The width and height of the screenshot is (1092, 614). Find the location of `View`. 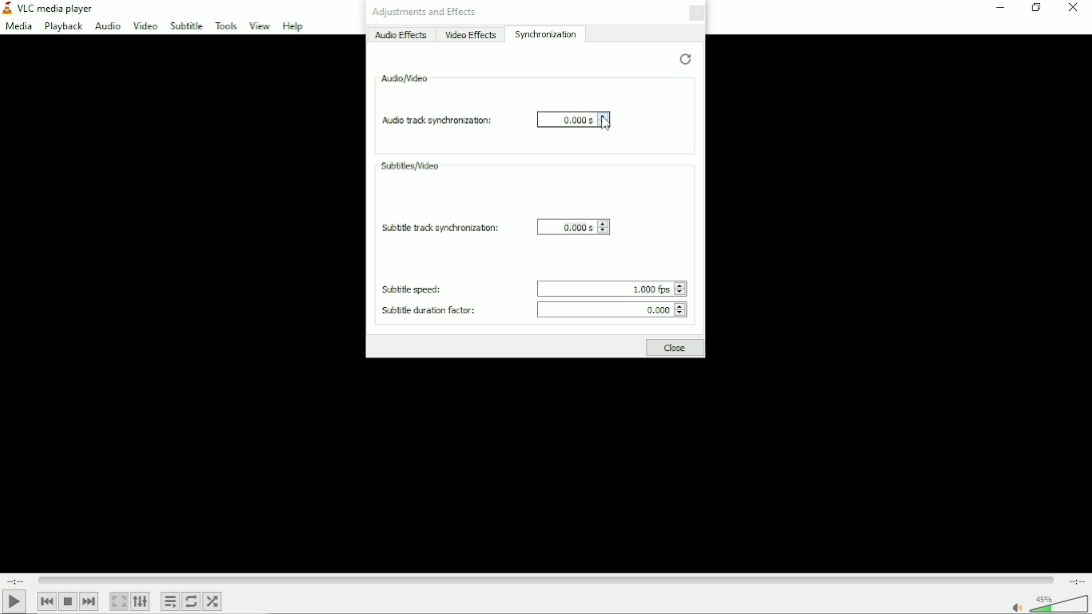

View is located at coordinates (259, 26).